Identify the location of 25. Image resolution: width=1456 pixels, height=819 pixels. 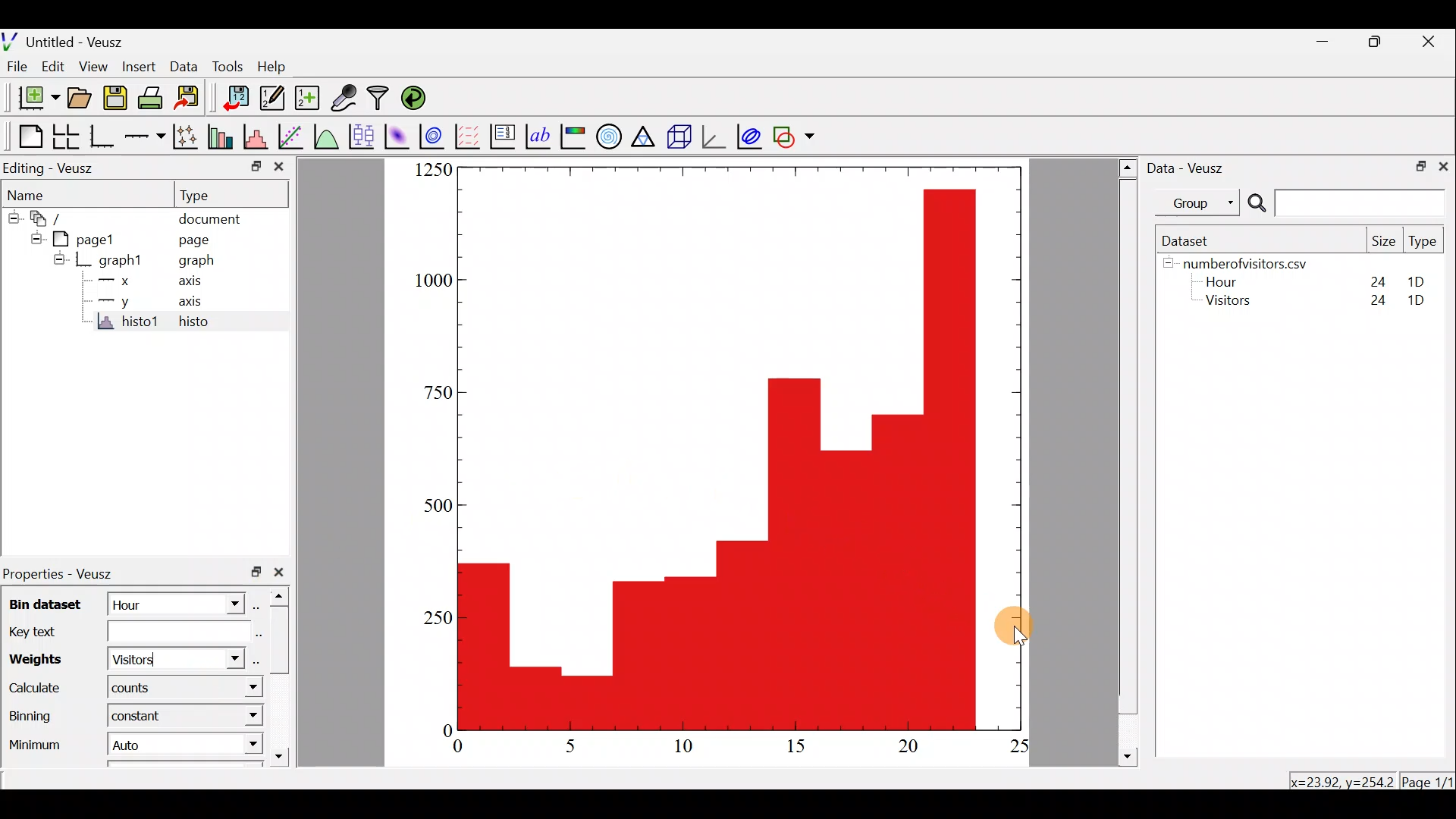
(1018, 747).